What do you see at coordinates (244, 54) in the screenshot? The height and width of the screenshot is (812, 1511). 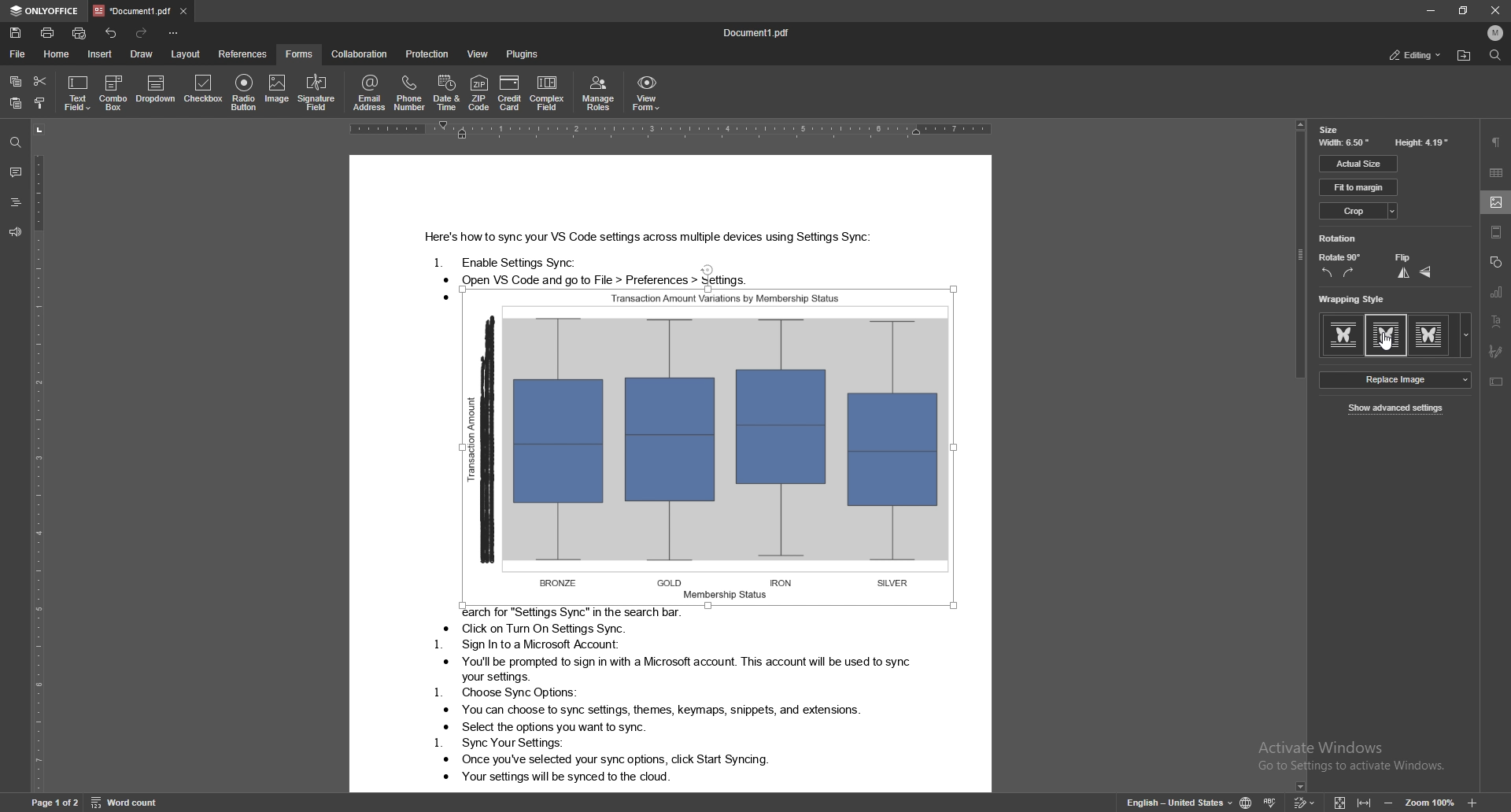 I see `references` at bounding box center [244, 54].